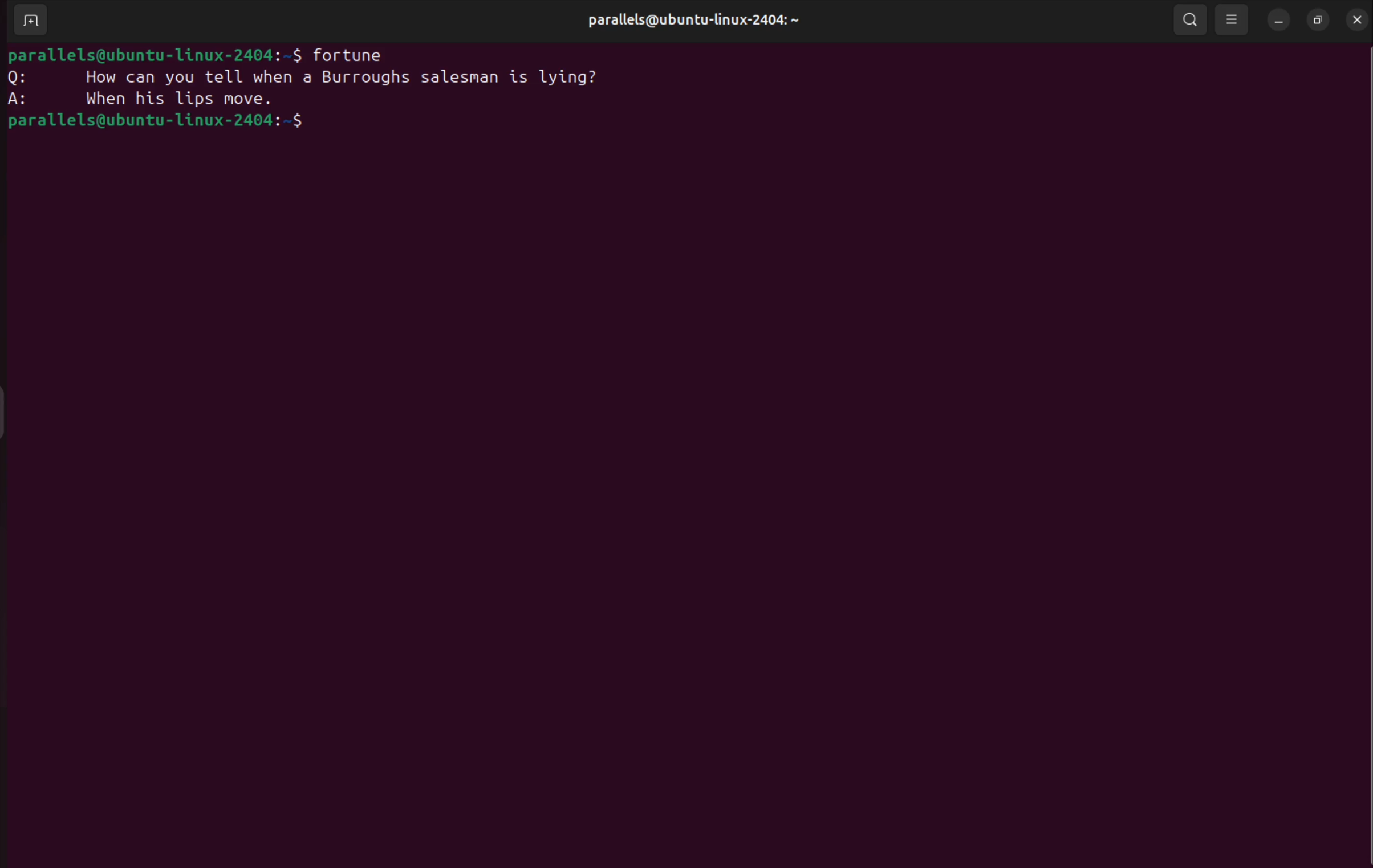  What do you see at coordinates (152, 56) in the screenshot?
I see `bash prompt` at bounding box center [152, 56].